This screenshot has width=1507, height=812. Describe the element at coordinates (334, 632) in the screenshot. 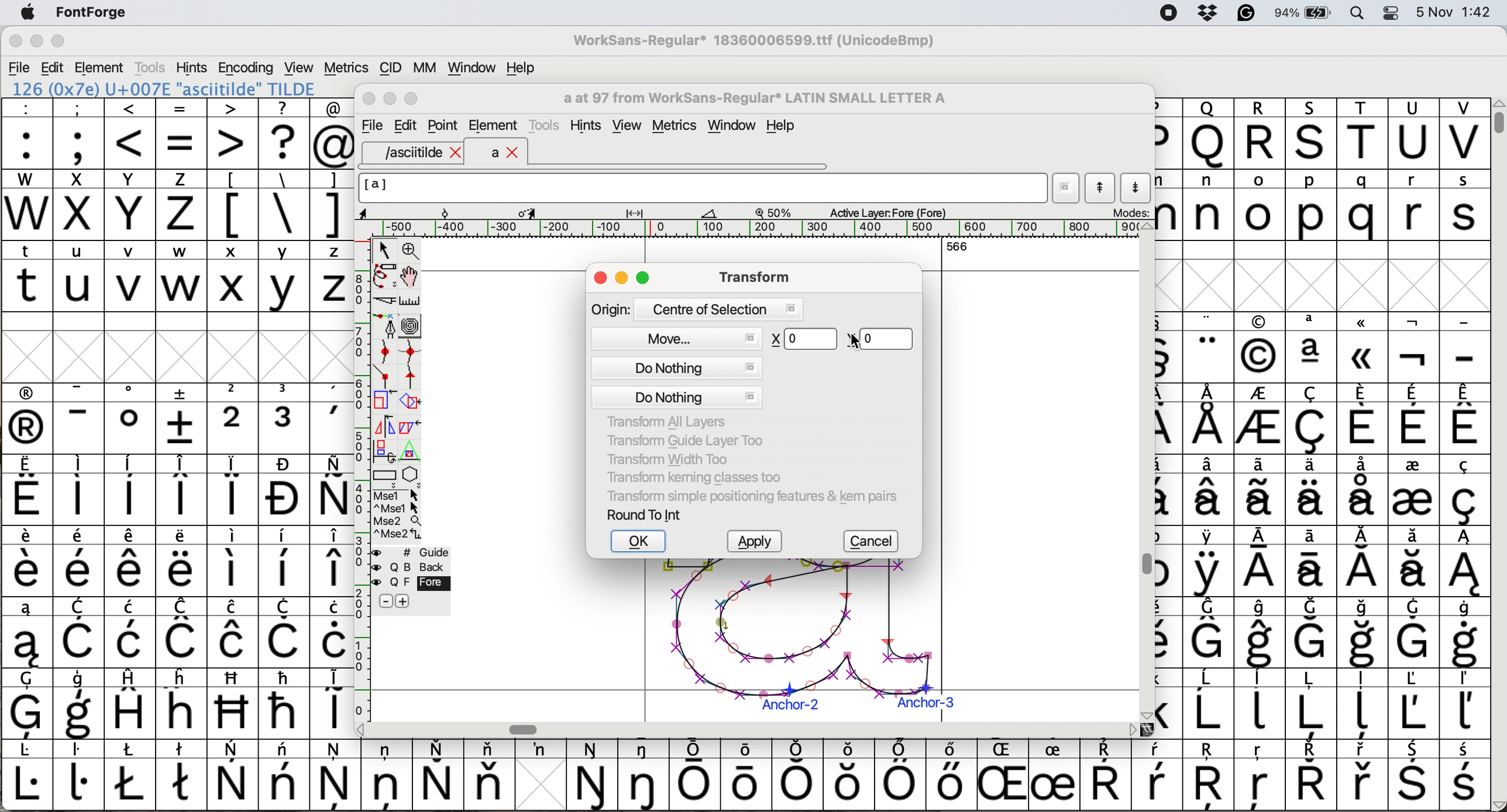

I see `symbol` at that location.